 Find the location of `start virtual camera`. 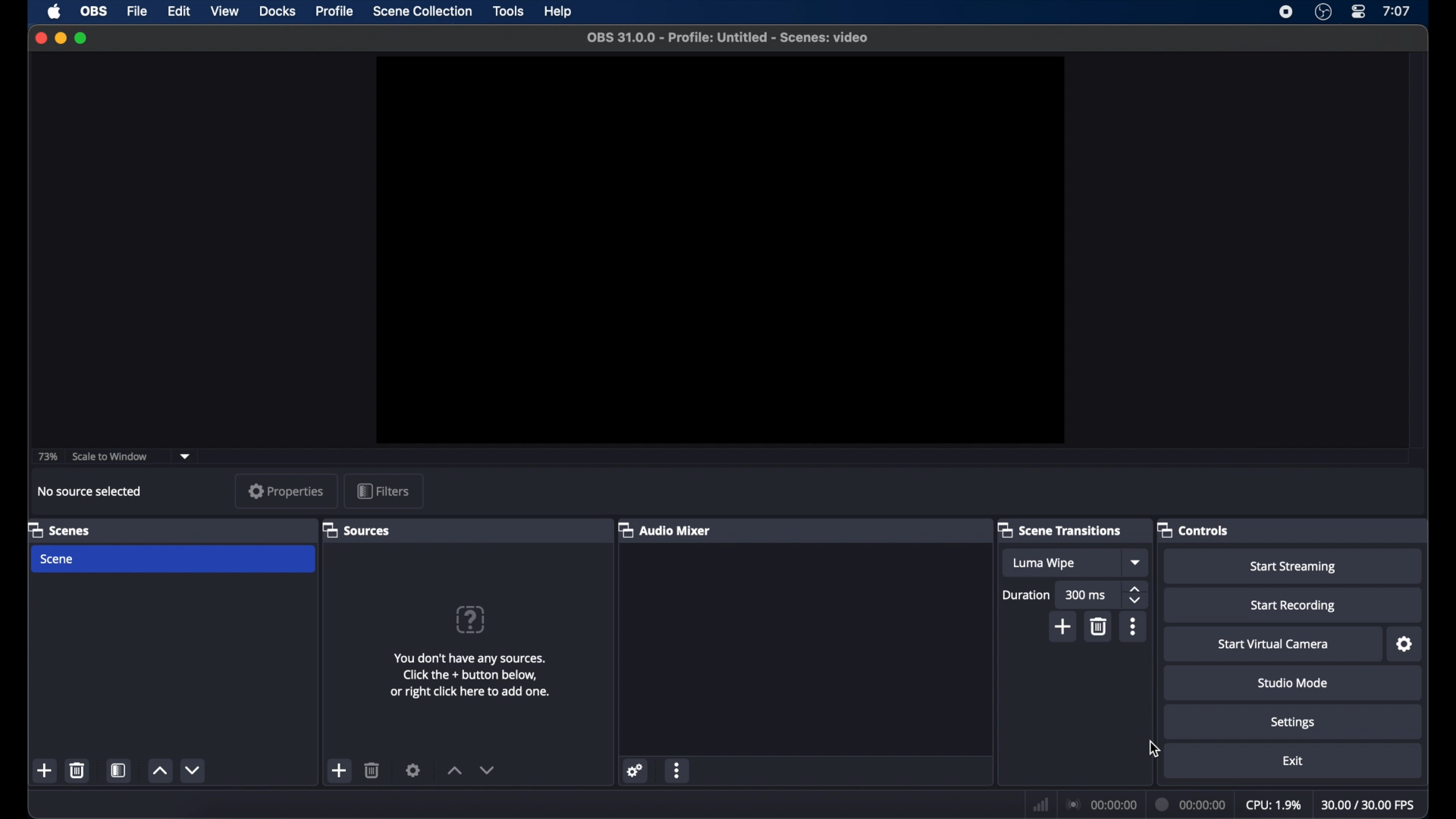

start virtual camera is located at coordinates (1273, 645).